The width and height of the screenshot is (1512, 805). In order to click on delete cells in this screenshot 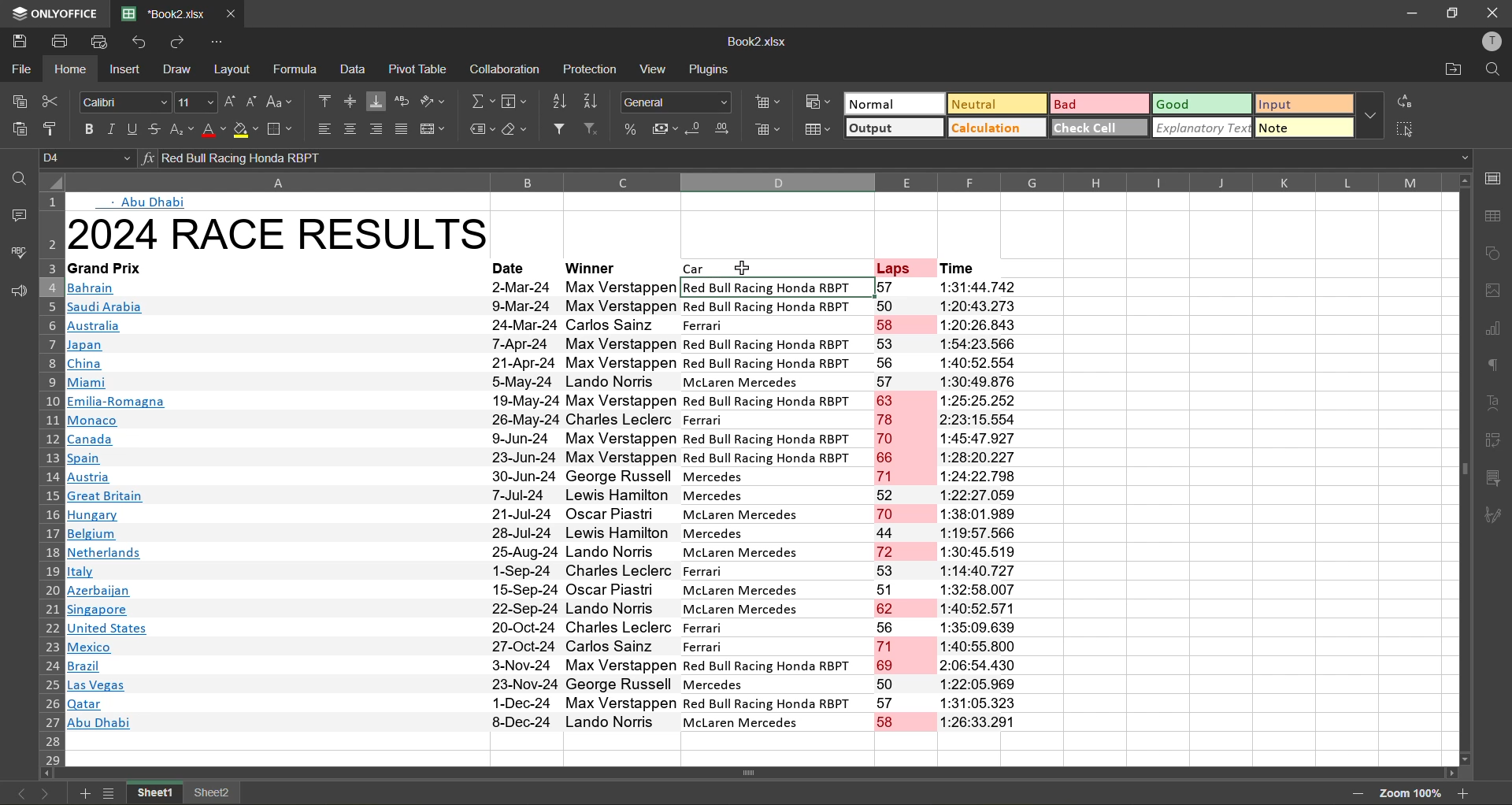, I will do `click(769, 128)`.